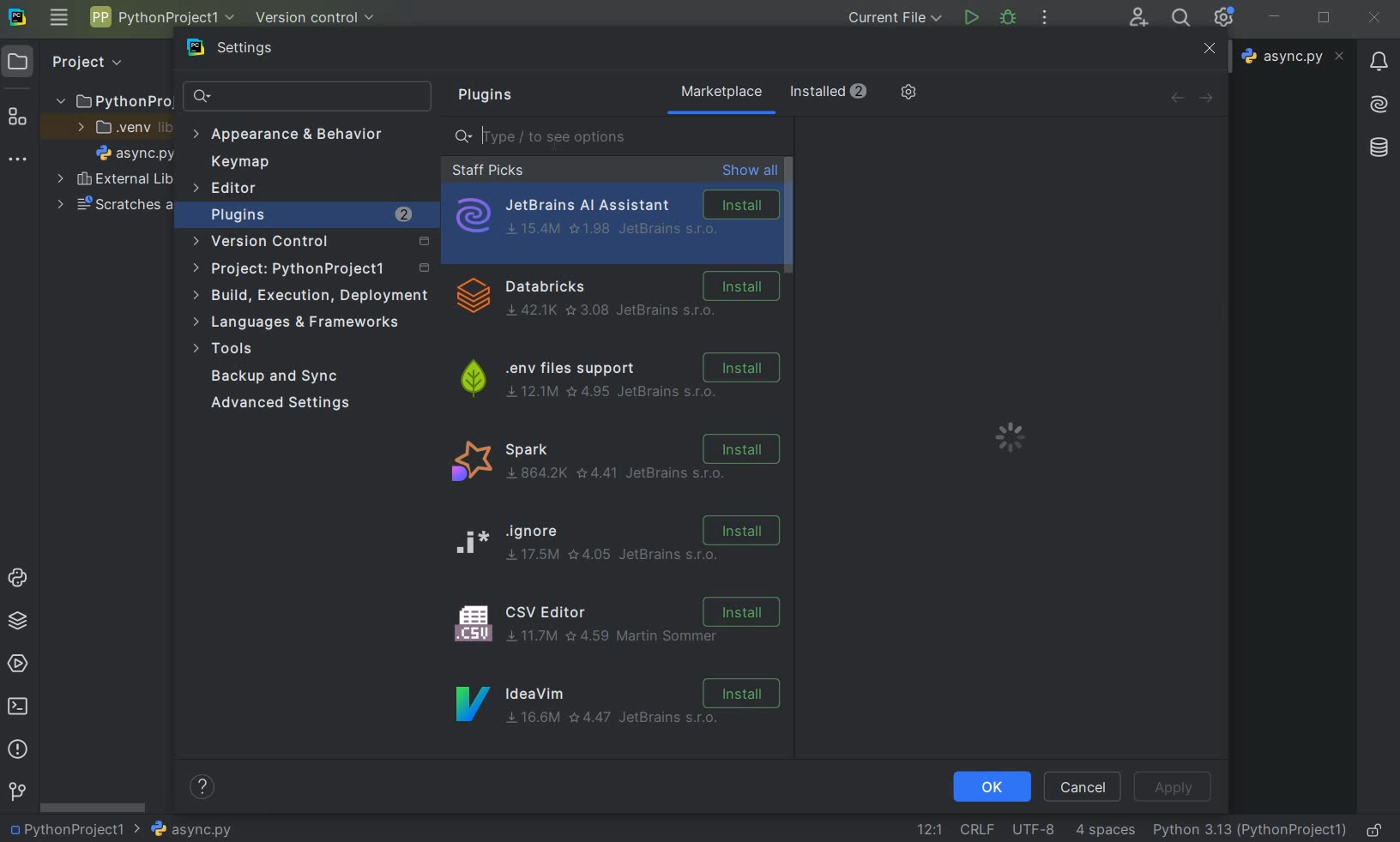 Image resolution: width=1400 pixels, height=842 pixels. What do you see at coordinates (1276, 18) in the screenshot?
I see `minimize` at bounding box center [1276, 18].